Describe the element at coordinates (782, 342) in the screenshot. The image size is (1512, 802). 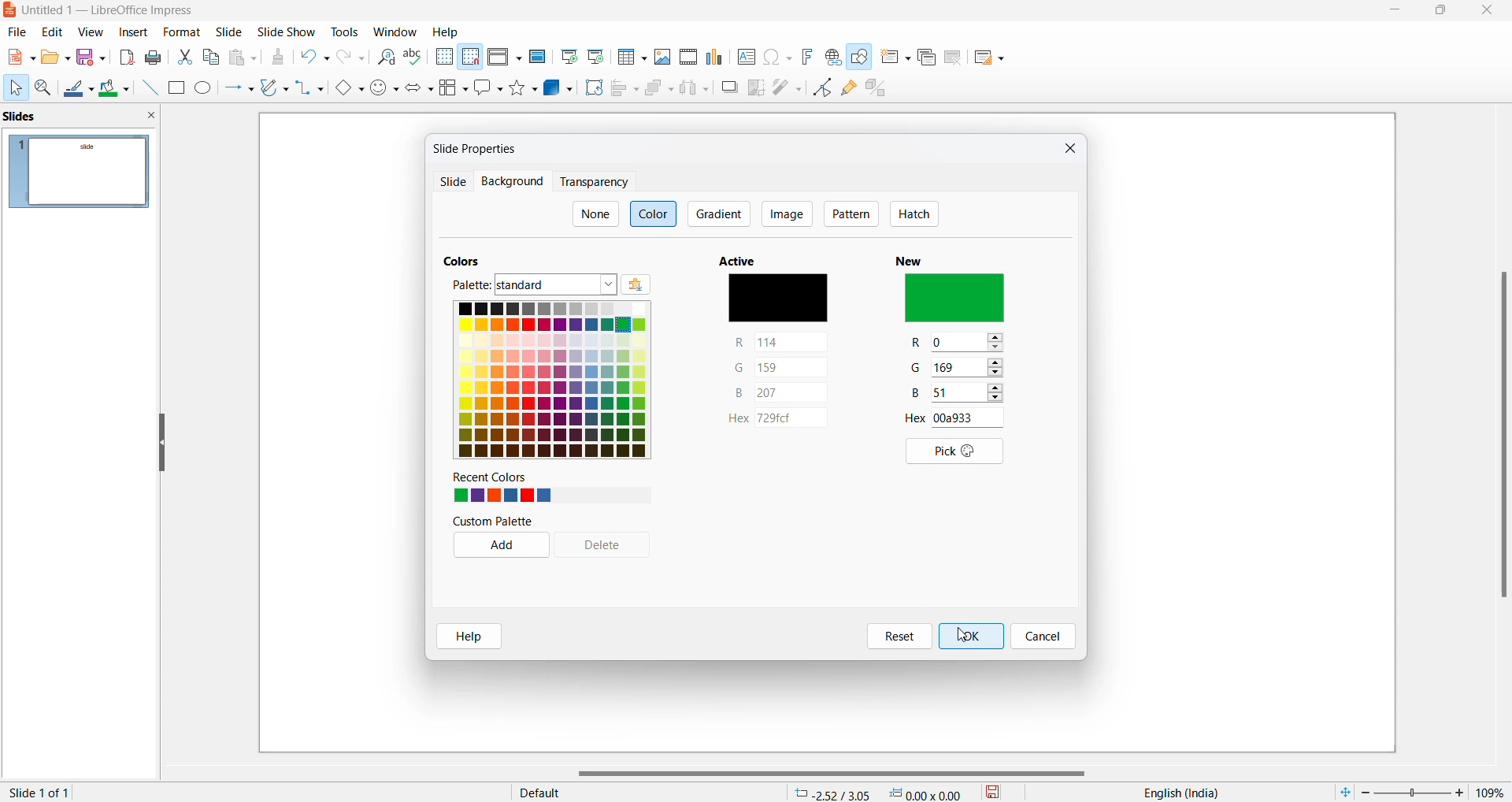
I see `red` at that location.